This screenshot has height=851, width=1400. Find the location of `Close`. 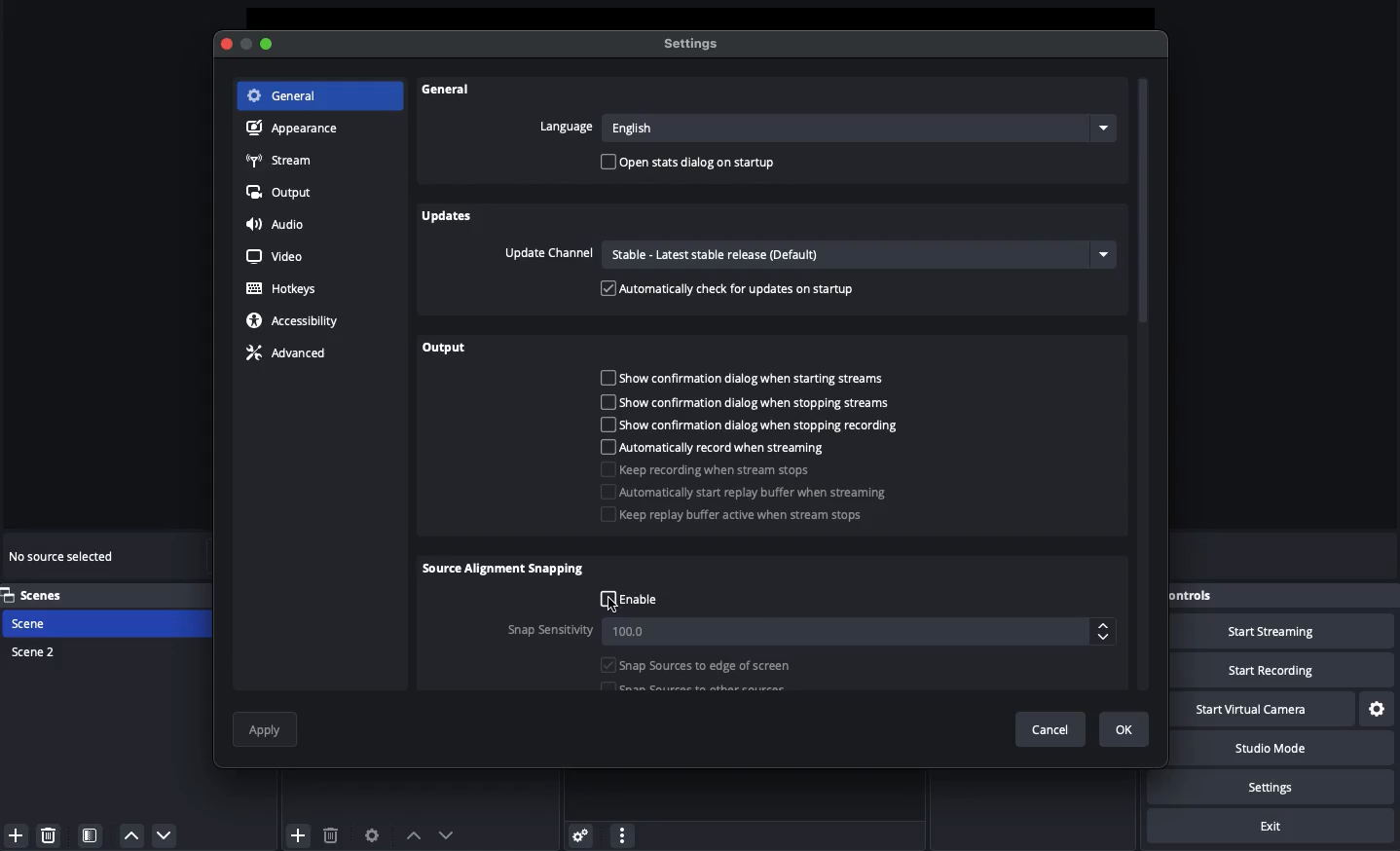

Close is located at coordinates (229, 44).